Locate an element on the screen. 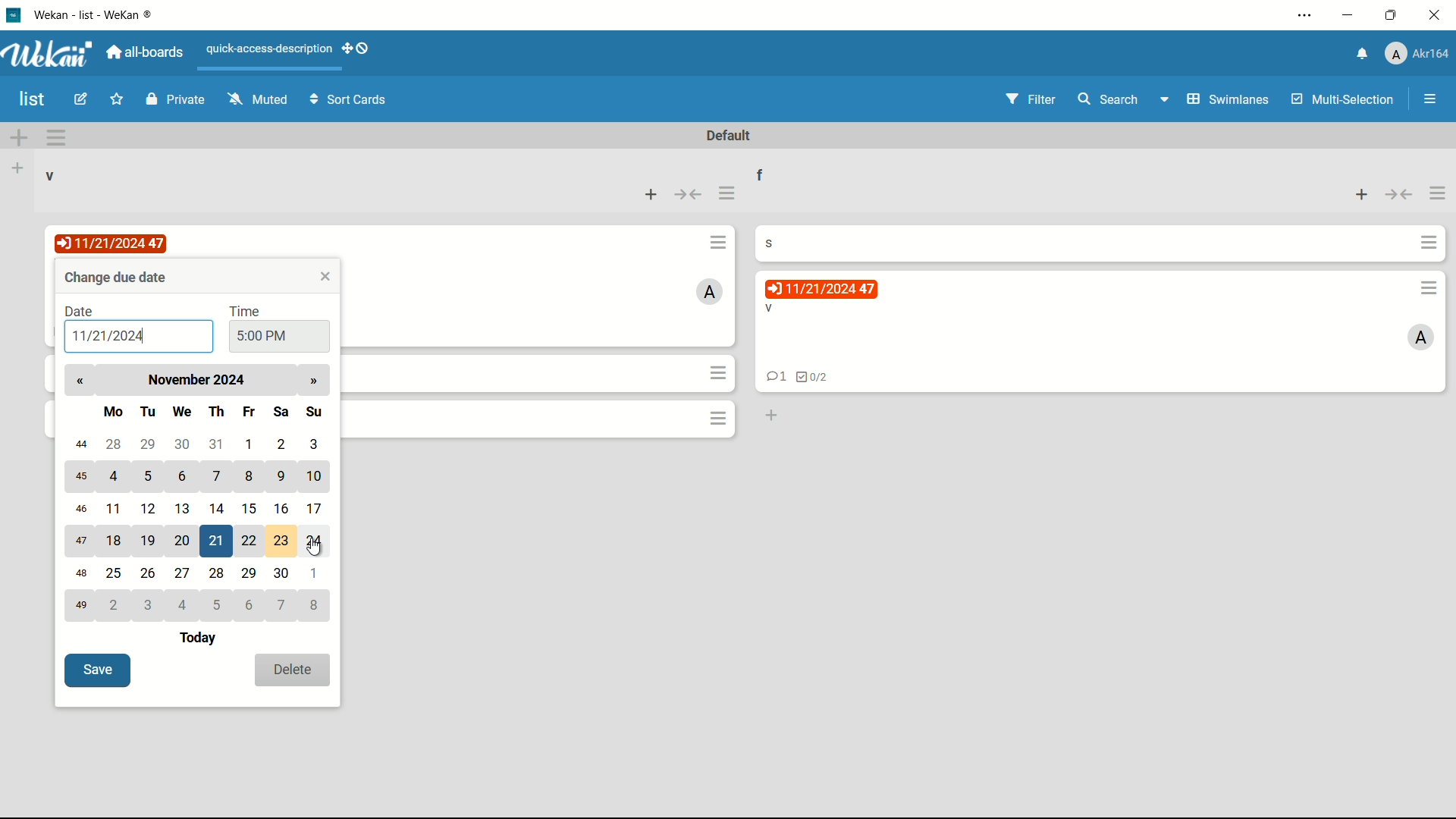 The width and height of the screenshot is (1456, 819). 19 is located at coordinates (150, 541).